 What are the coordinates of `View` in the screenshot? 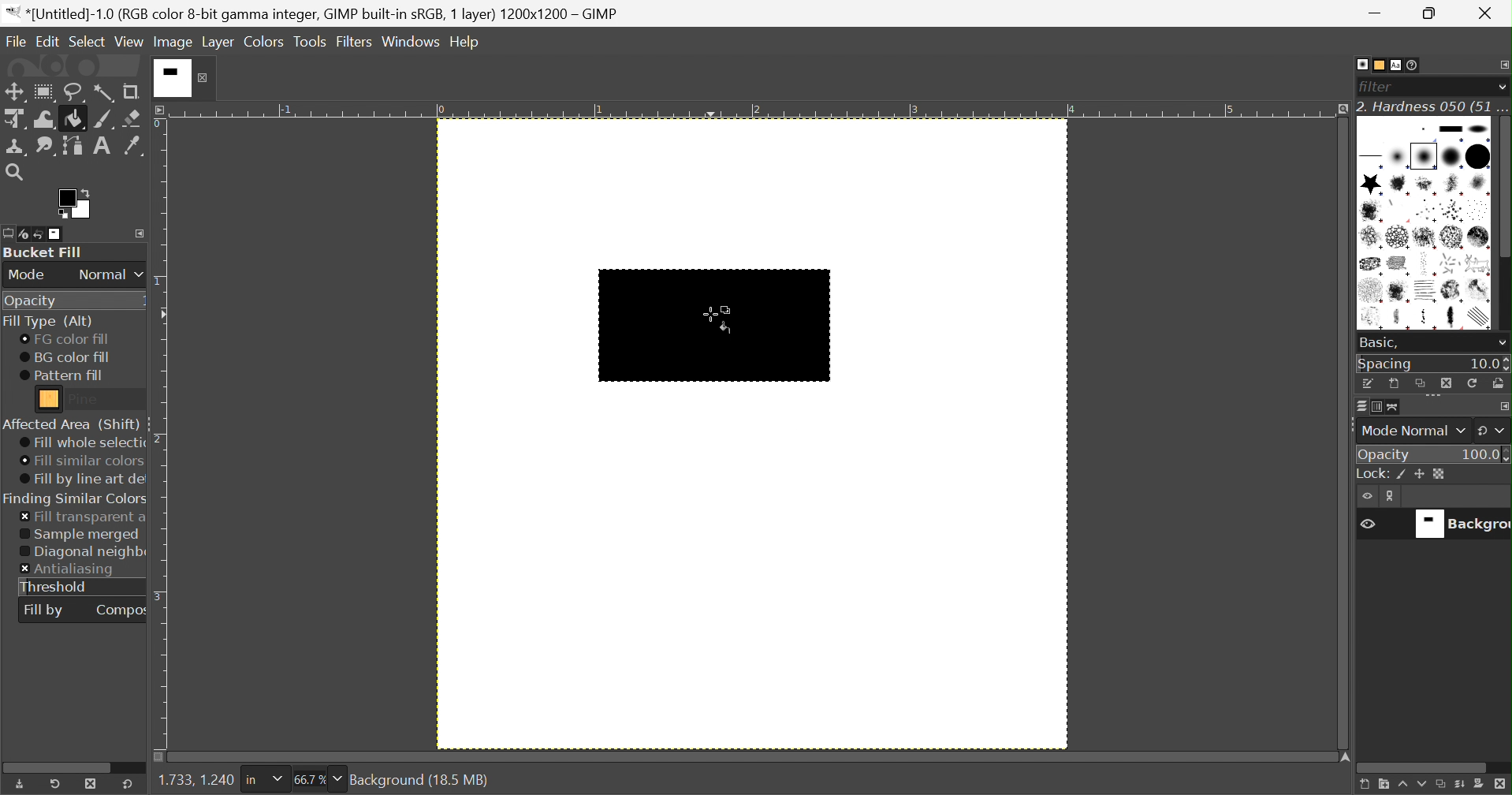 It's located at (129, 43).